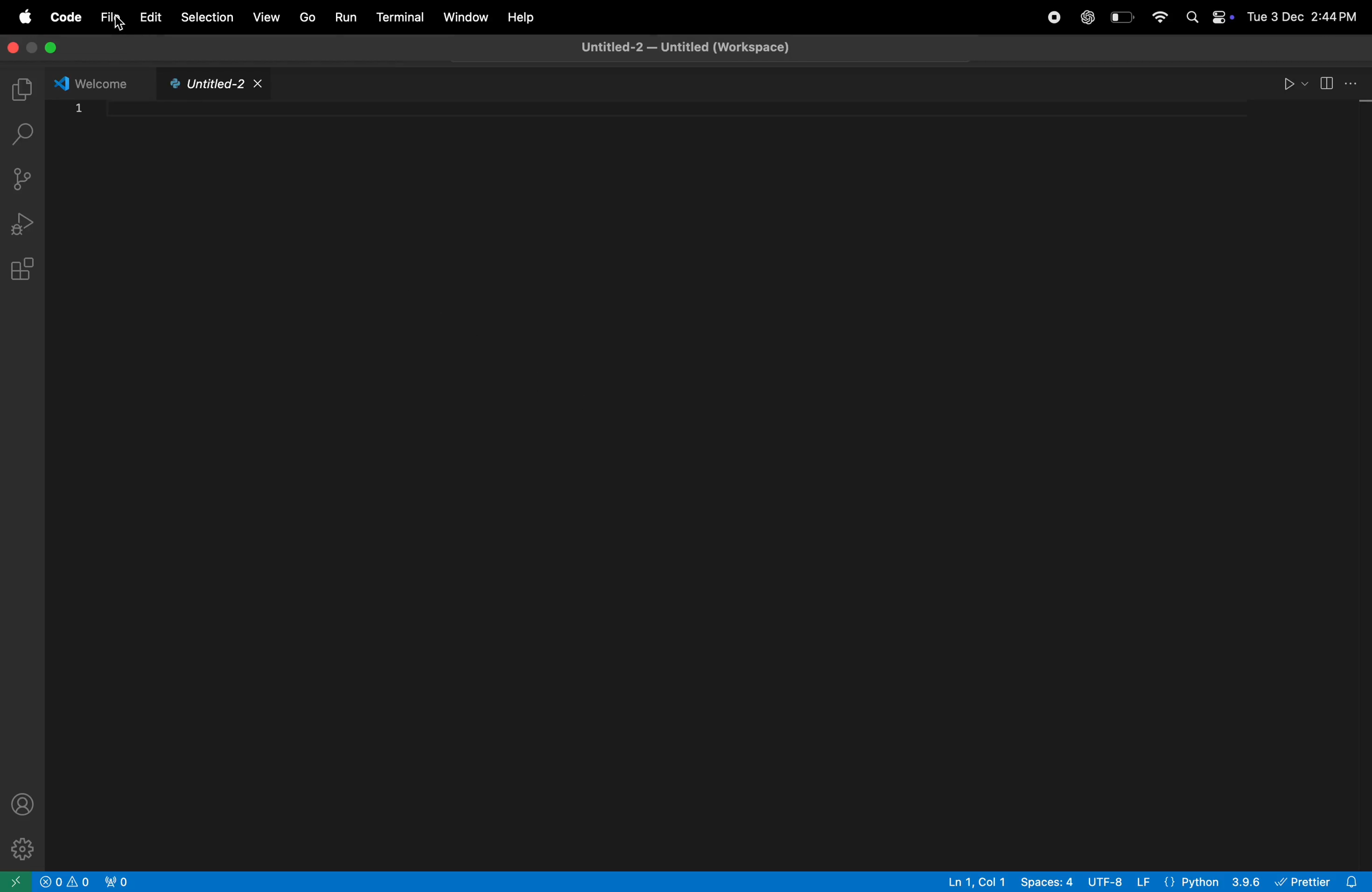  What do you see at coordinates (12, 48) in the screenshot?
I see `close` at bounding box center [12, 48].